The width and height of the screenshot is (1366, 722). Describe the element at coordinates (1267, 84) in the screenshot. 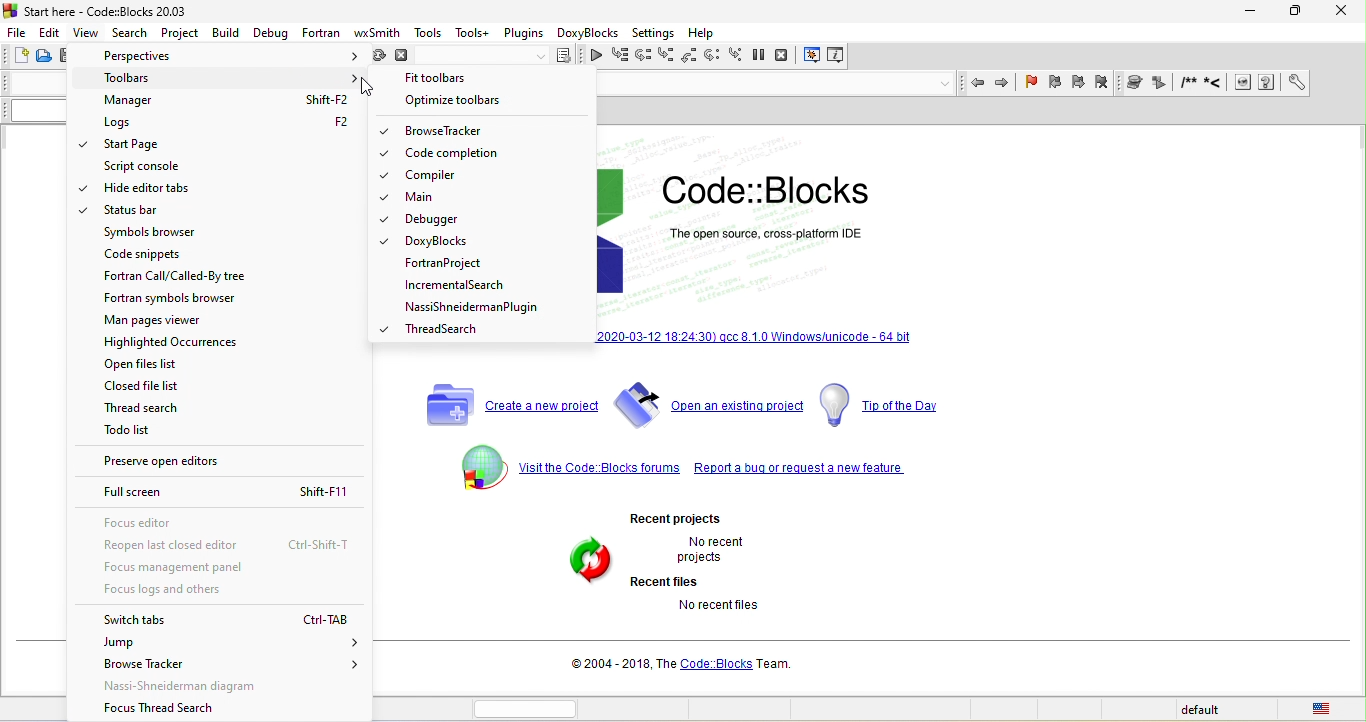

I see `run chm` at that location.